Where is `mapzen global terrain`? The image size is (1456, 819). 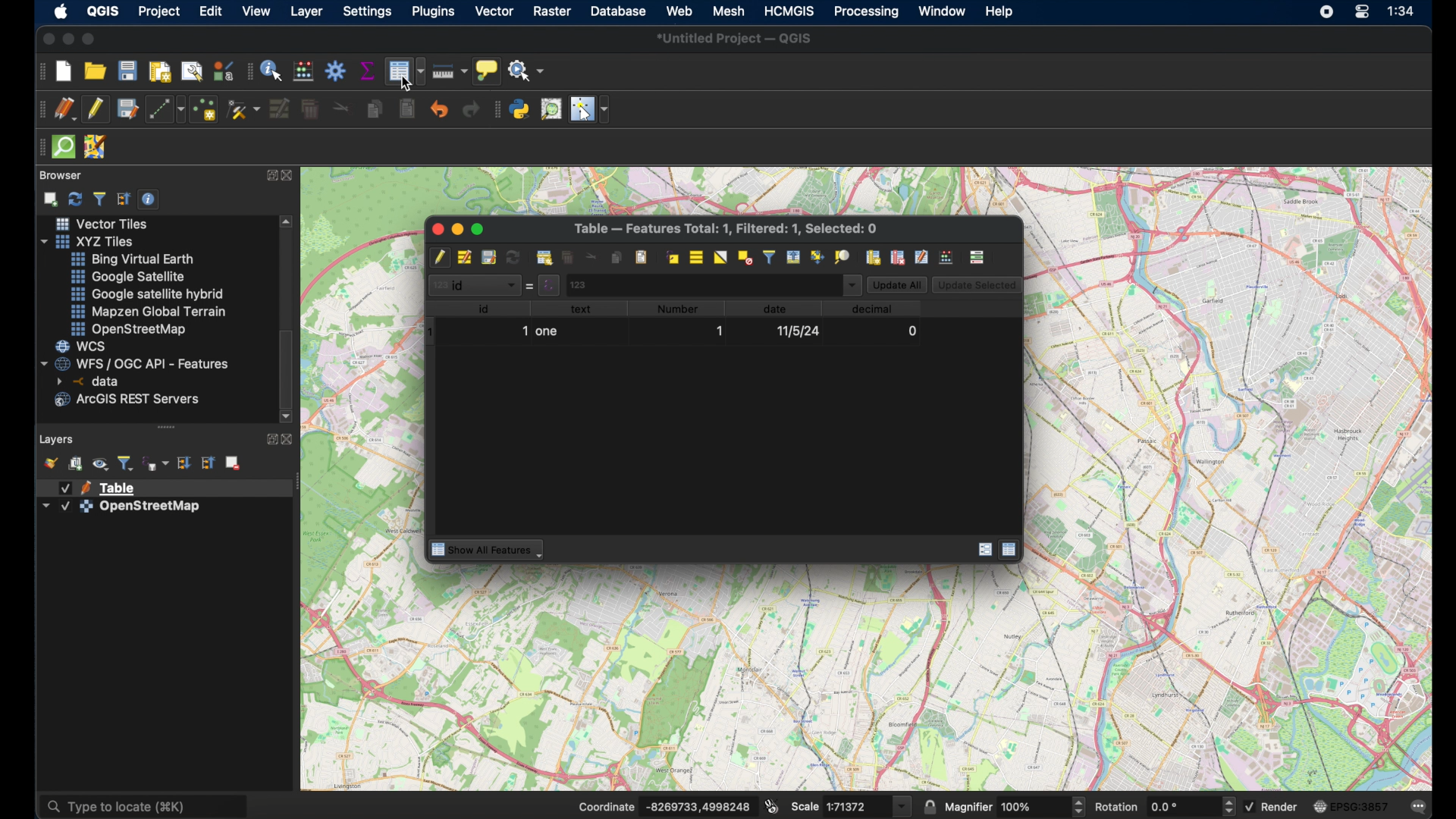
mapzen global terrain is located at coordinates (149, 312).